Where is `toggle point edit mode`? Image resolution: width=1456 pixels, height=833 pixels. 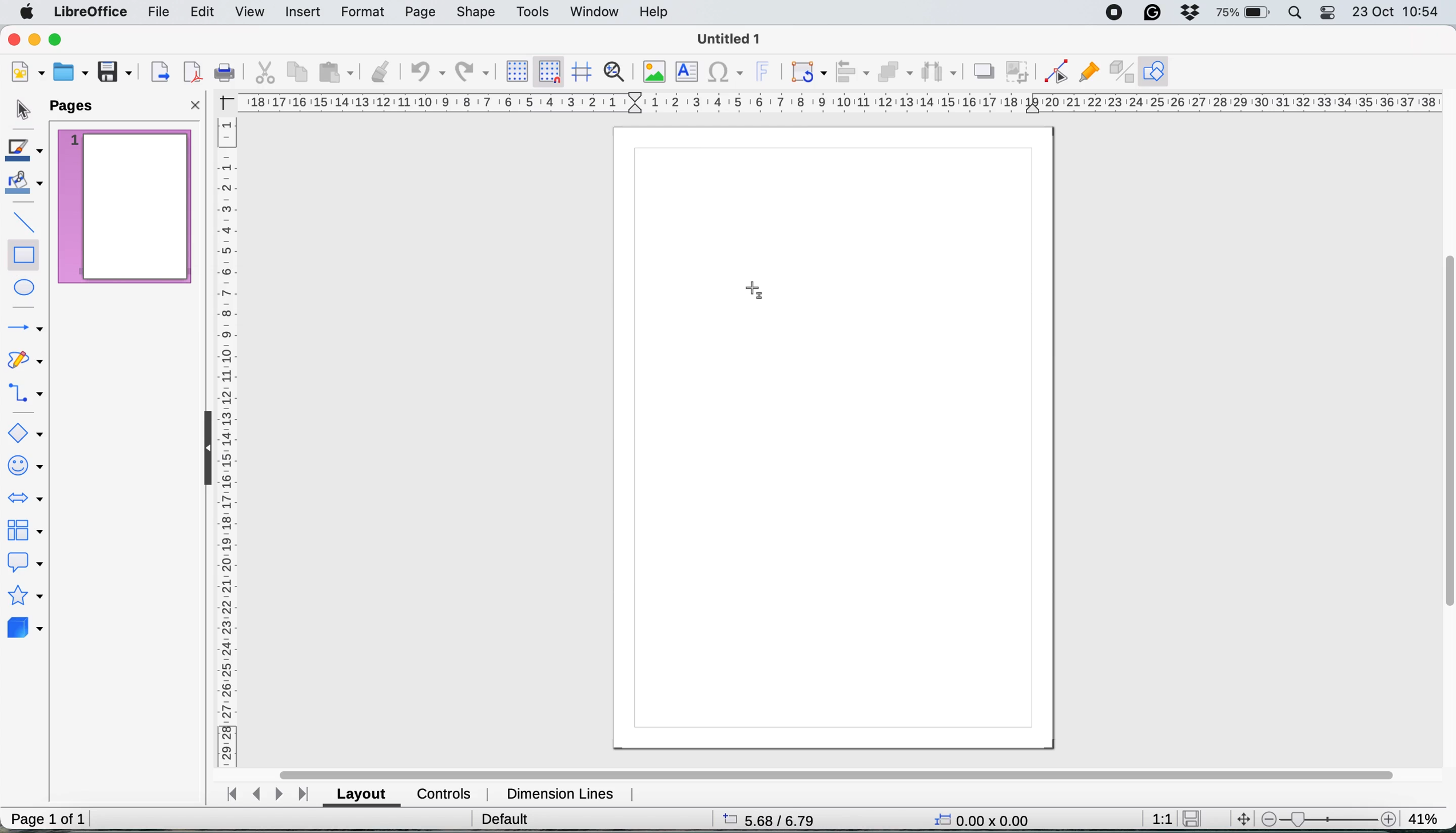
toggle point edit mode is located at coordinates (1051, 73).